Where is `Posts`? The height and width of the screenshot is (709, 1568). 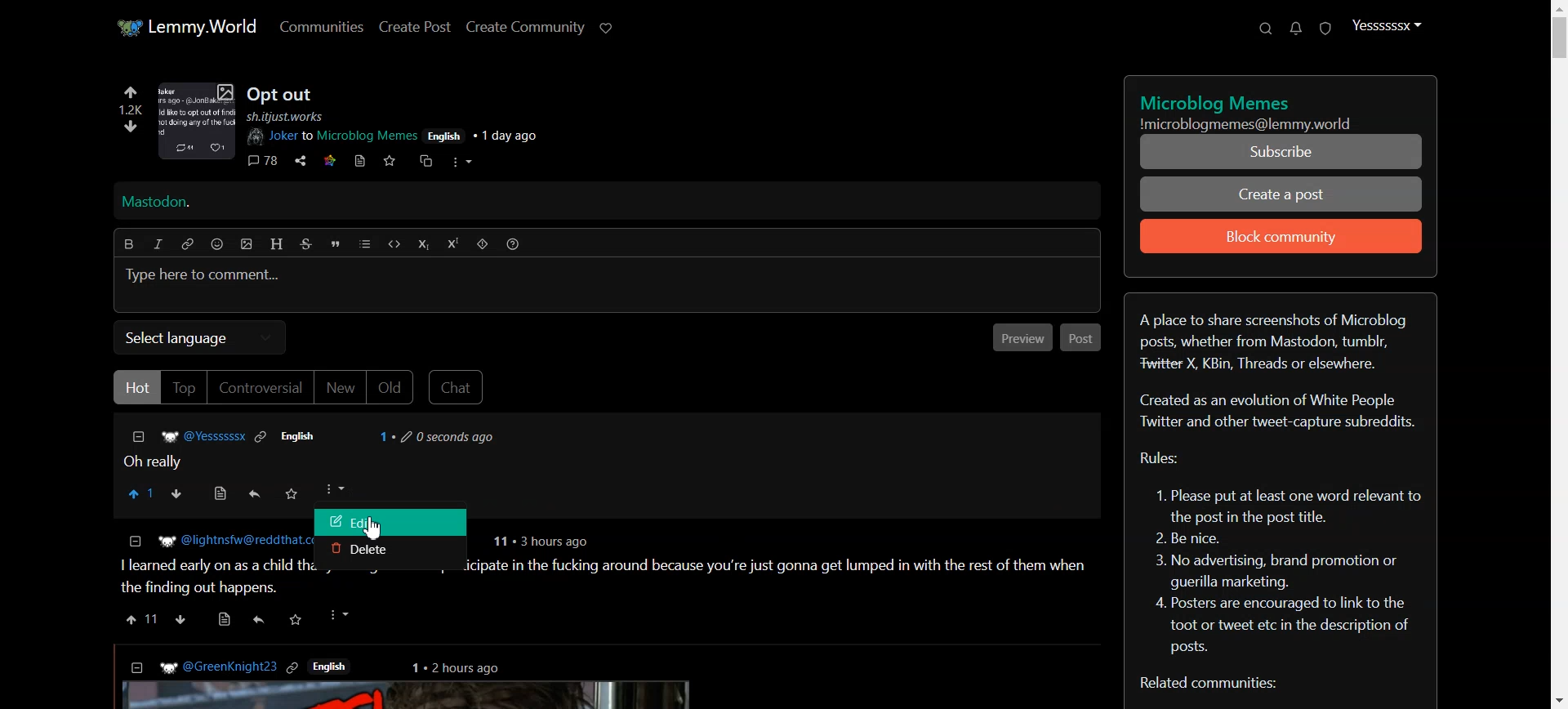 Posts is located at coordinates (207, 564).